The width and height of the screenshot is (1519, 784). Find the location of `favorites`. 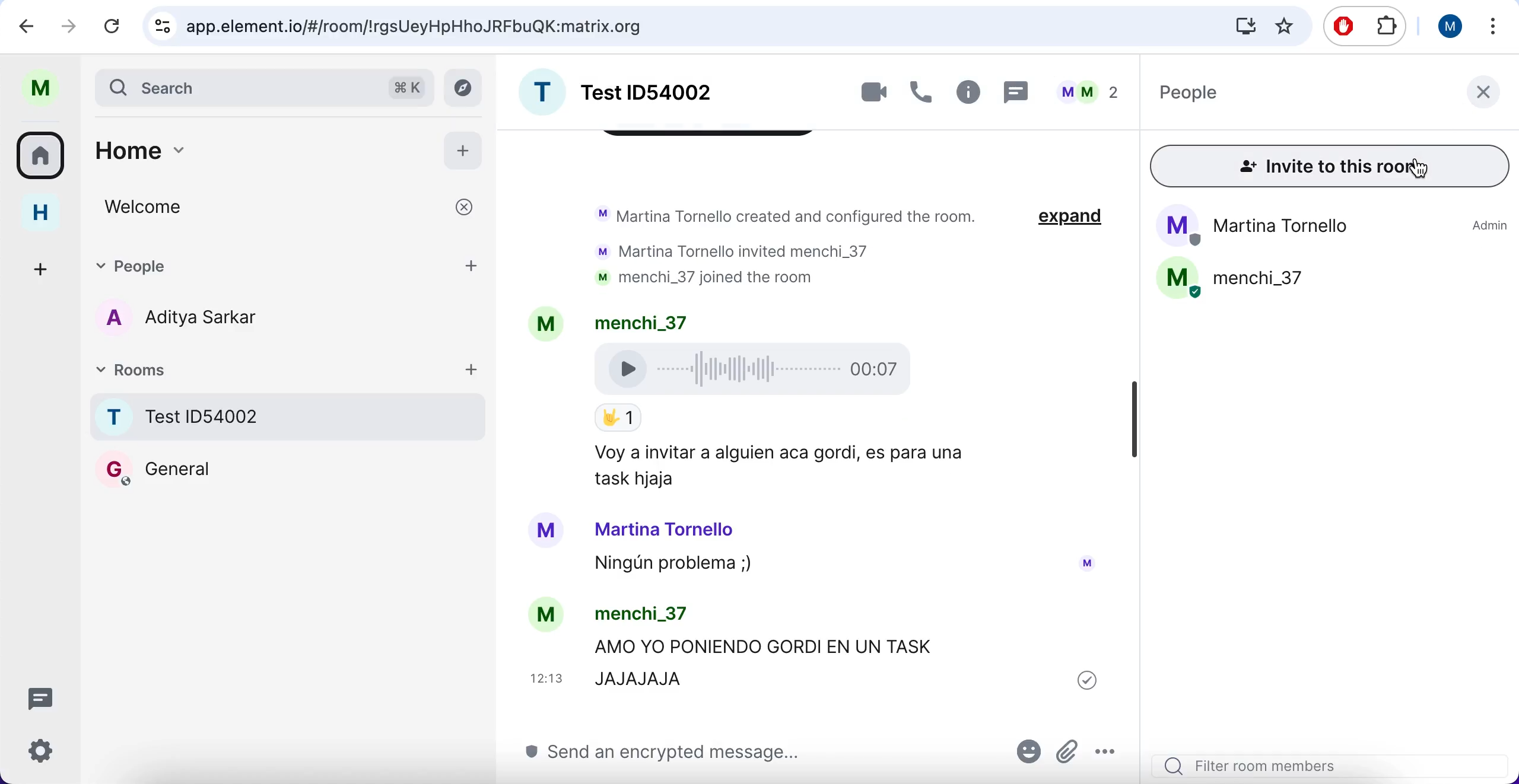

favorites is located at coordinates (1283, 26).